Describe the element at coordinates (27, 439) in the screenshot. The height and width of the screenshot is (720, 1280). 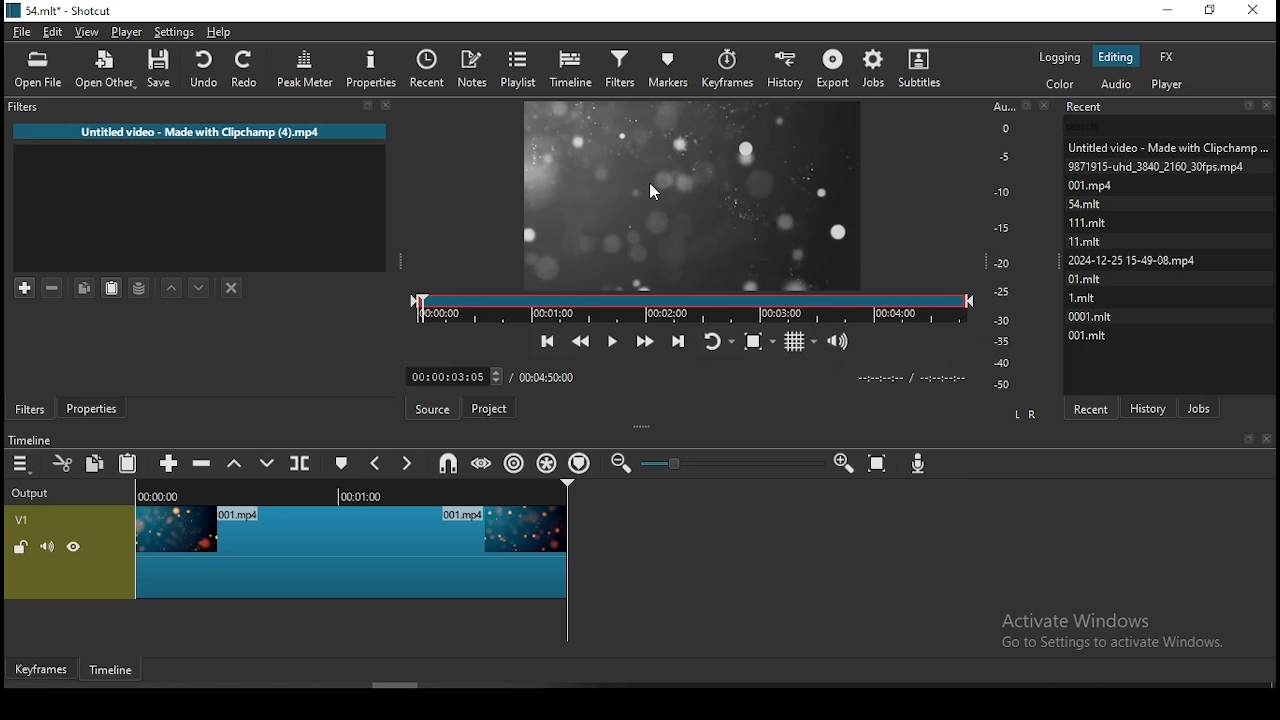
I see `timeline` at that location.